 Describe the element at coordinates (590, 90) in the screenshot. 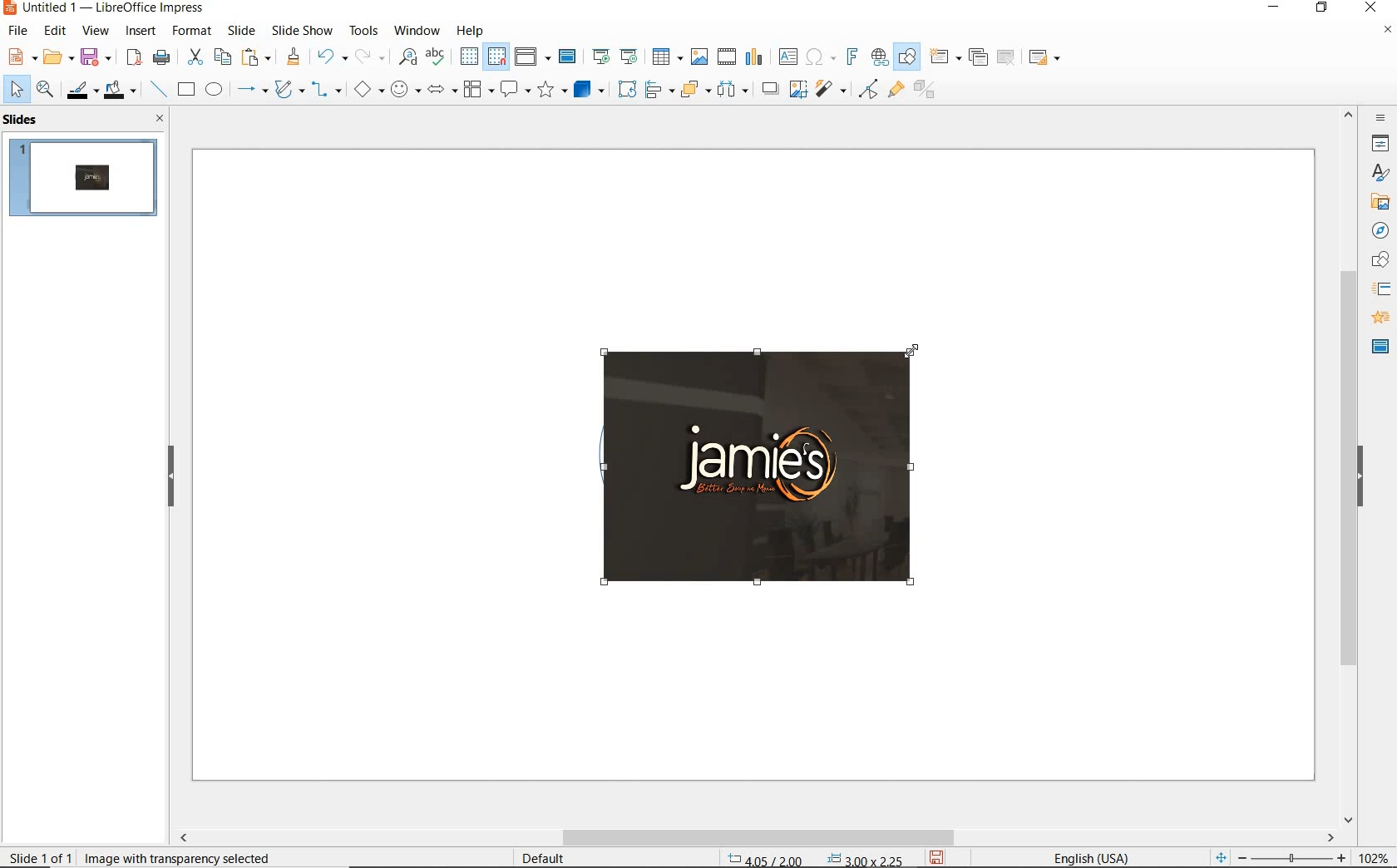

I see `3d objects` at that location.